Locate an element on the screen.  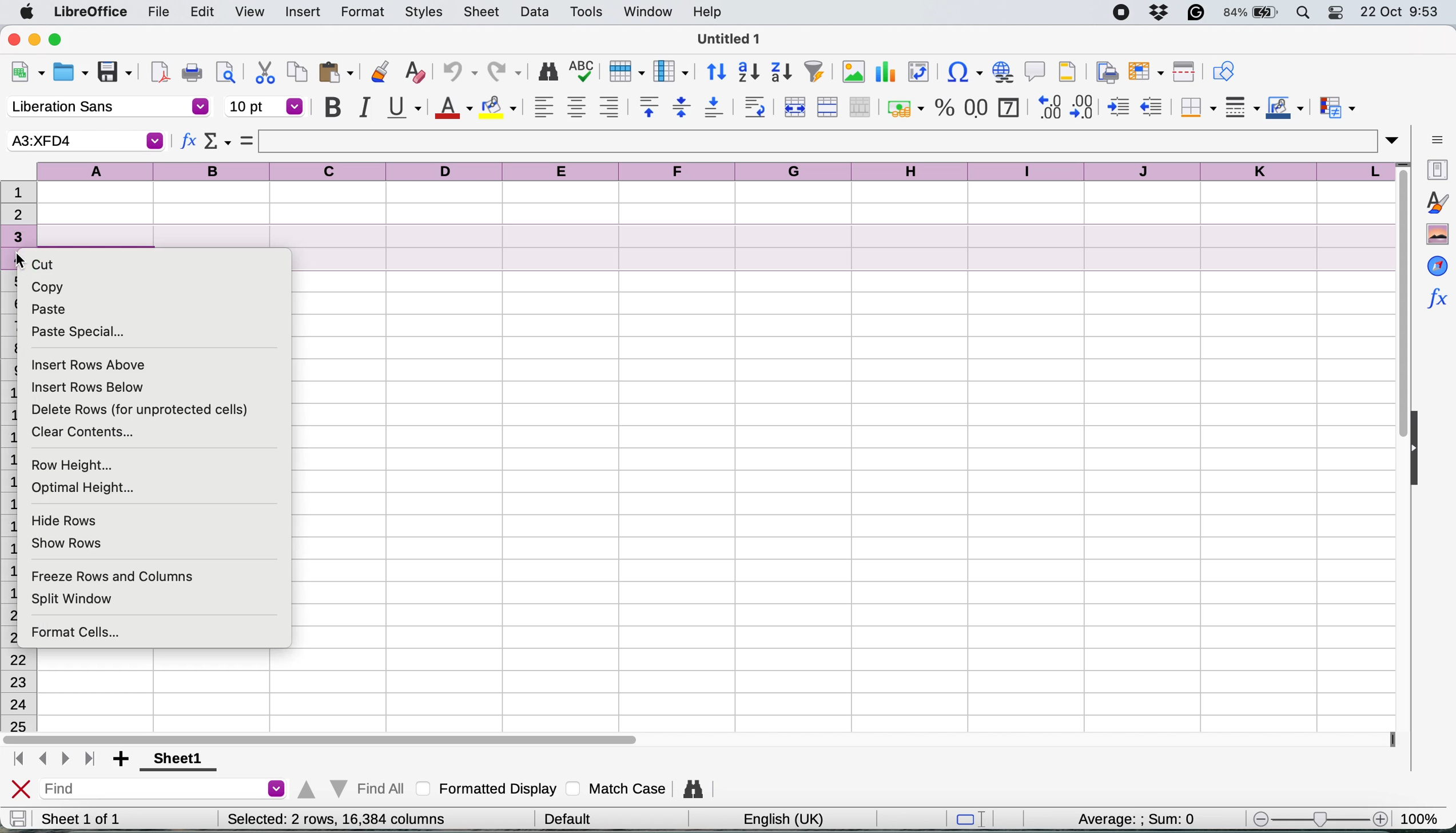
standard selection is located at coordinates (975, 820).